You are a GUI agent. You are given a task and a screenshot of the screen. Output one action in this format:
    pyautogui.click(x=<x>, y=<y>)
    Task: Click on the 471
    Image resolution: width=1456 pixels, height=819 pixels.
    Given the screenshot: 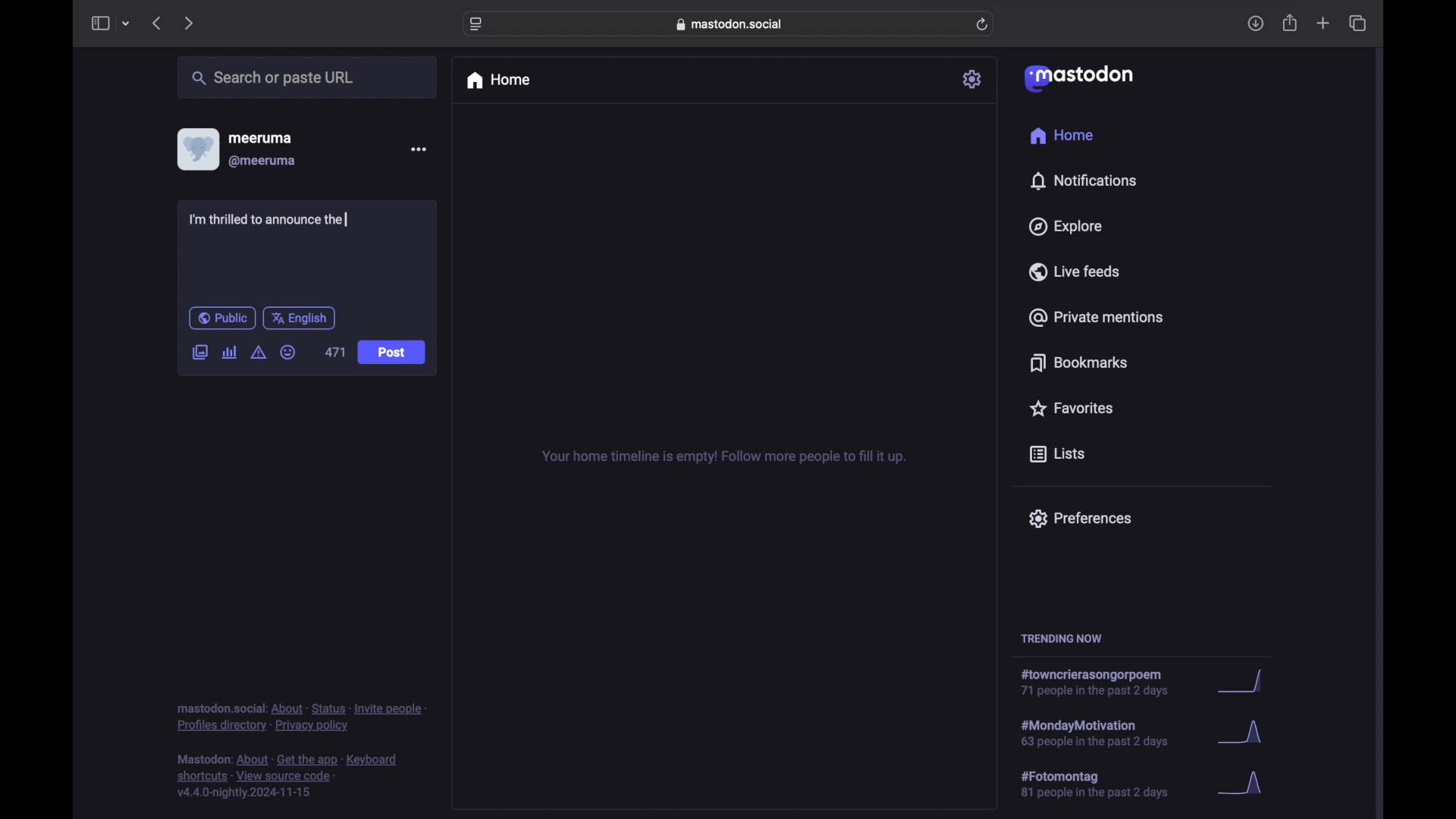 What is the action you would take?
    pyautogui.click(x=335, y=352)
    